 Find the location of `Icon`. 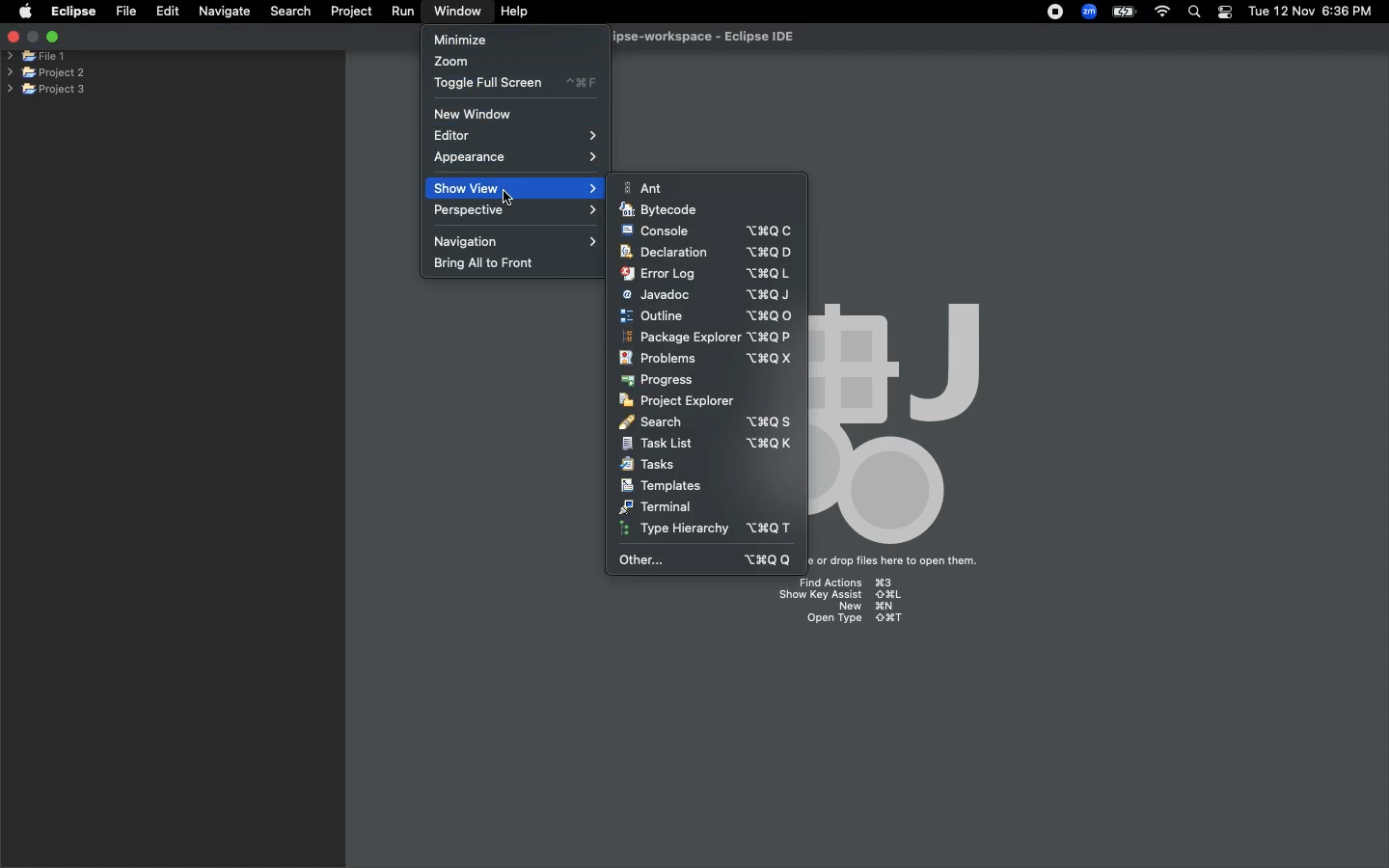

Icon is located at coordinates (910, 418).